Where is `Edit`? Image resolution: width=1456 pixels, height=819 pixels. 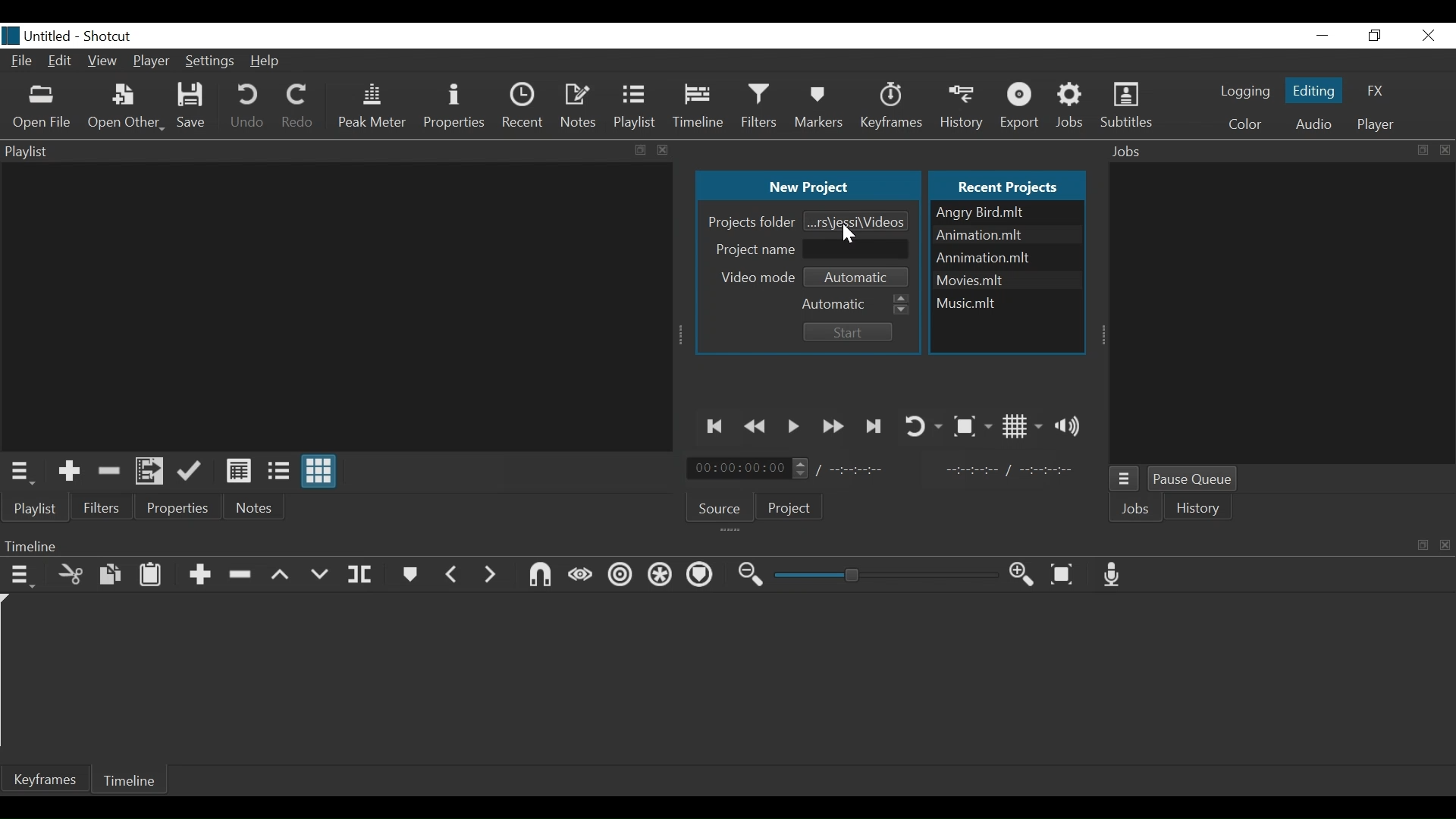 Edit is located at coordinates (61, 63).